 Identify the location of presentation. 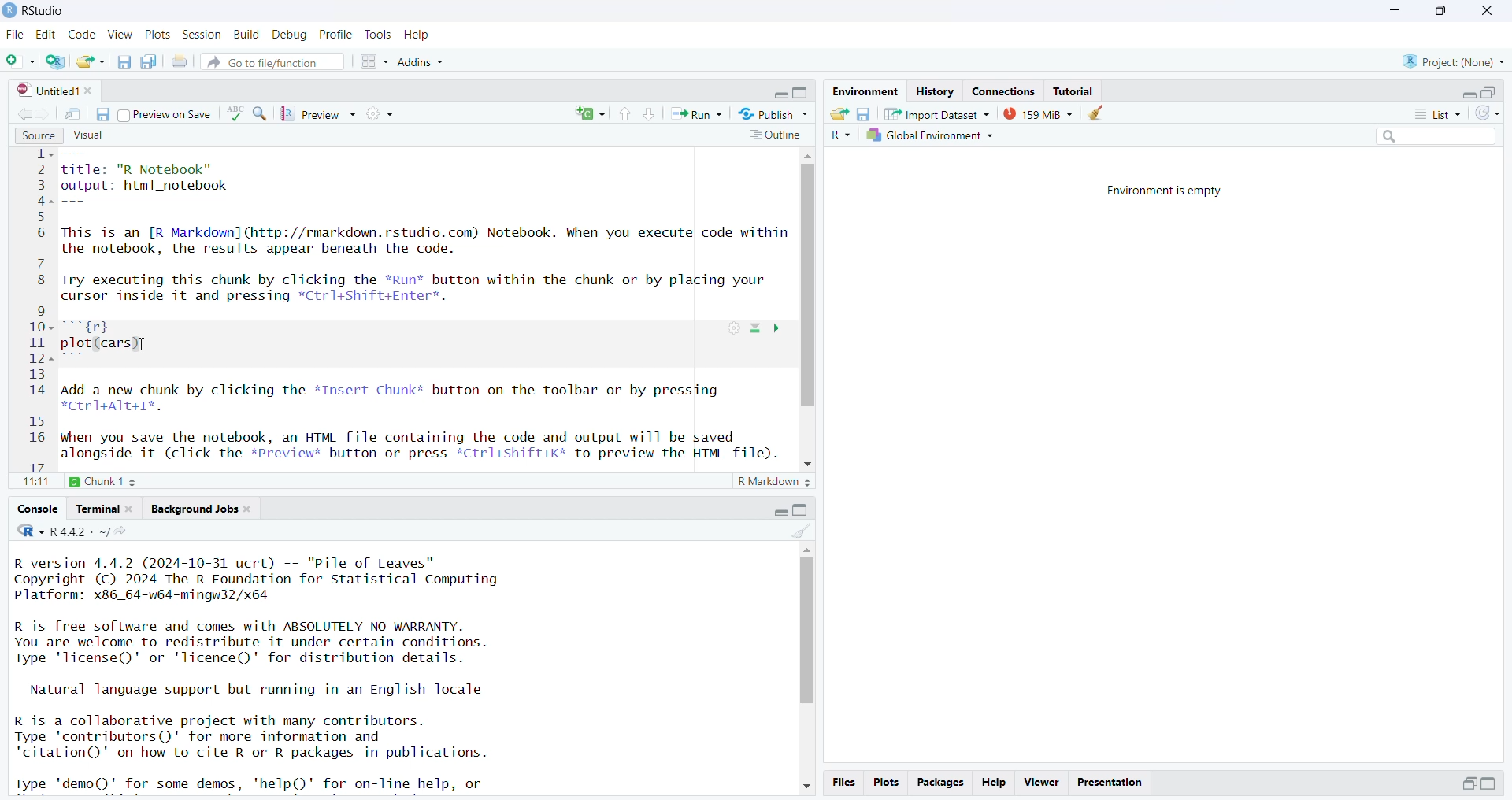
(1110, 781).